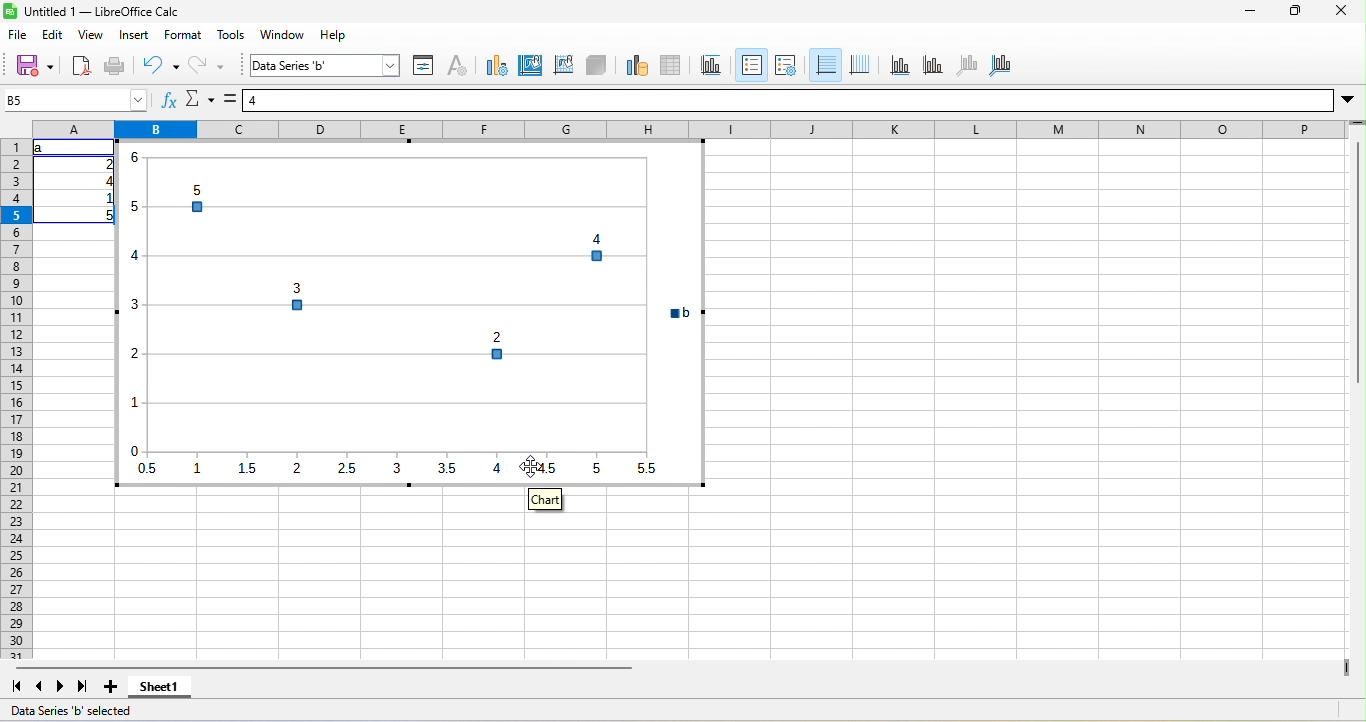 This screenshot has height=722, width=1366. Describe the element at coordinates (323, 668) in the screenshot. I see `horizontal scroll bar` at that location.